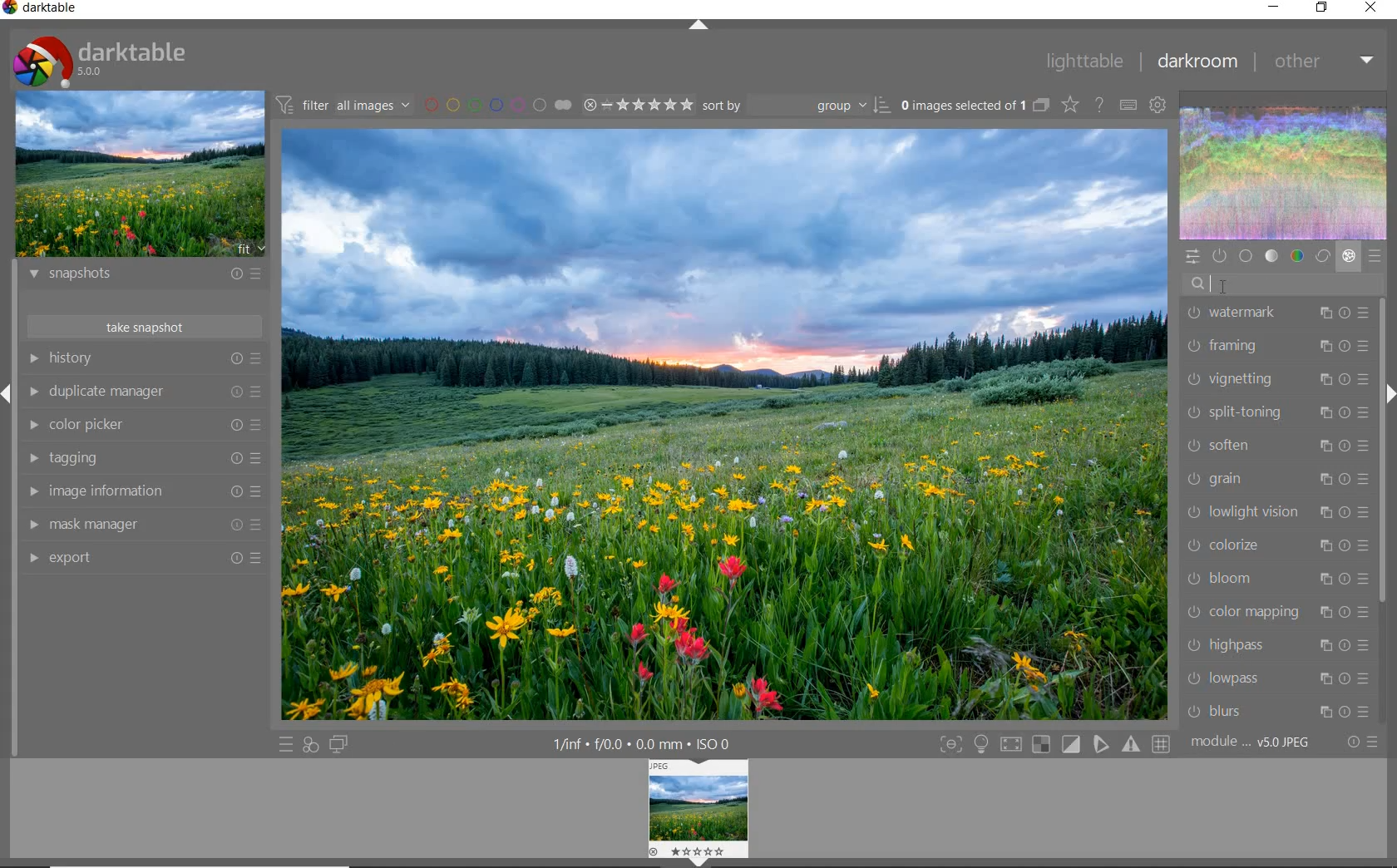  What do you see at coordinates (1277, 712) in the screenshot?
I see `blurs` at bounding box center [1277, 712].